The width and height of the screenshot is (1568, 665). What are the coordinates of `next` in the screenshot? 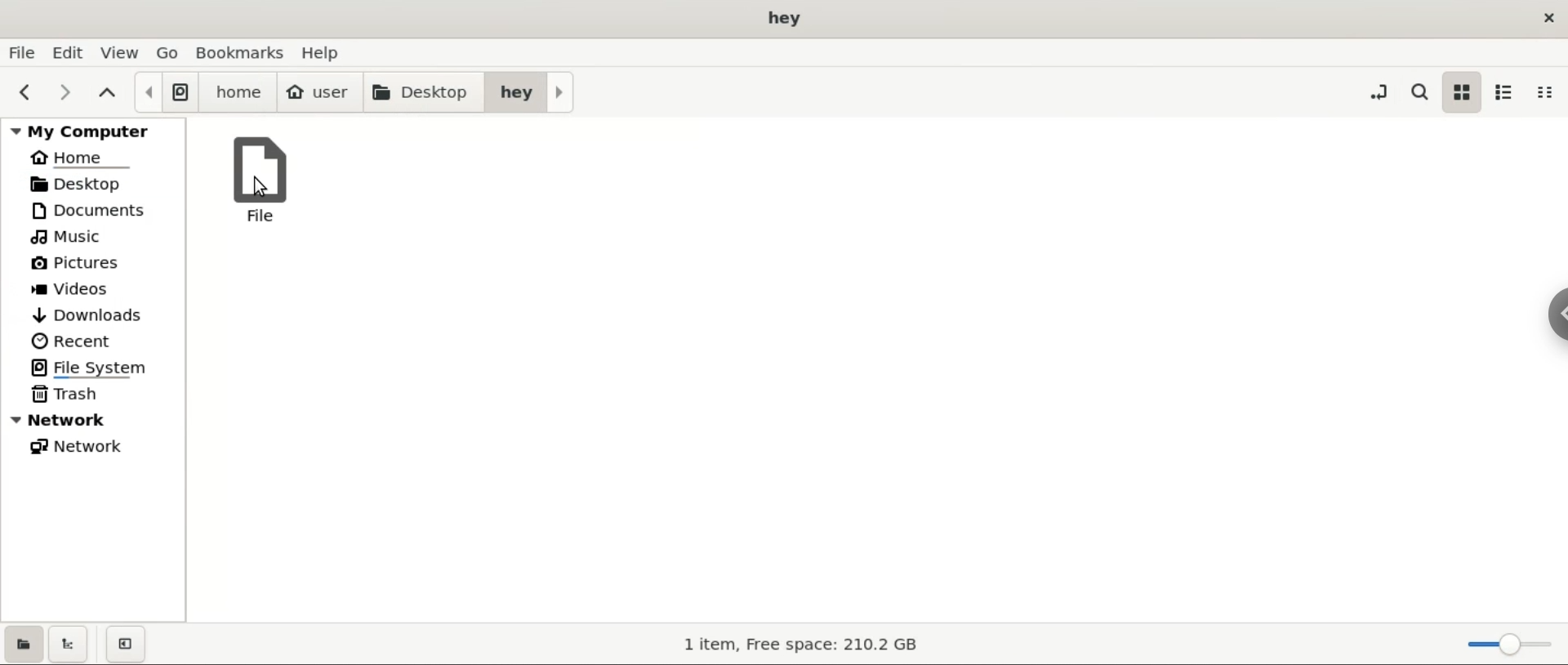 It's located at (67, 91).